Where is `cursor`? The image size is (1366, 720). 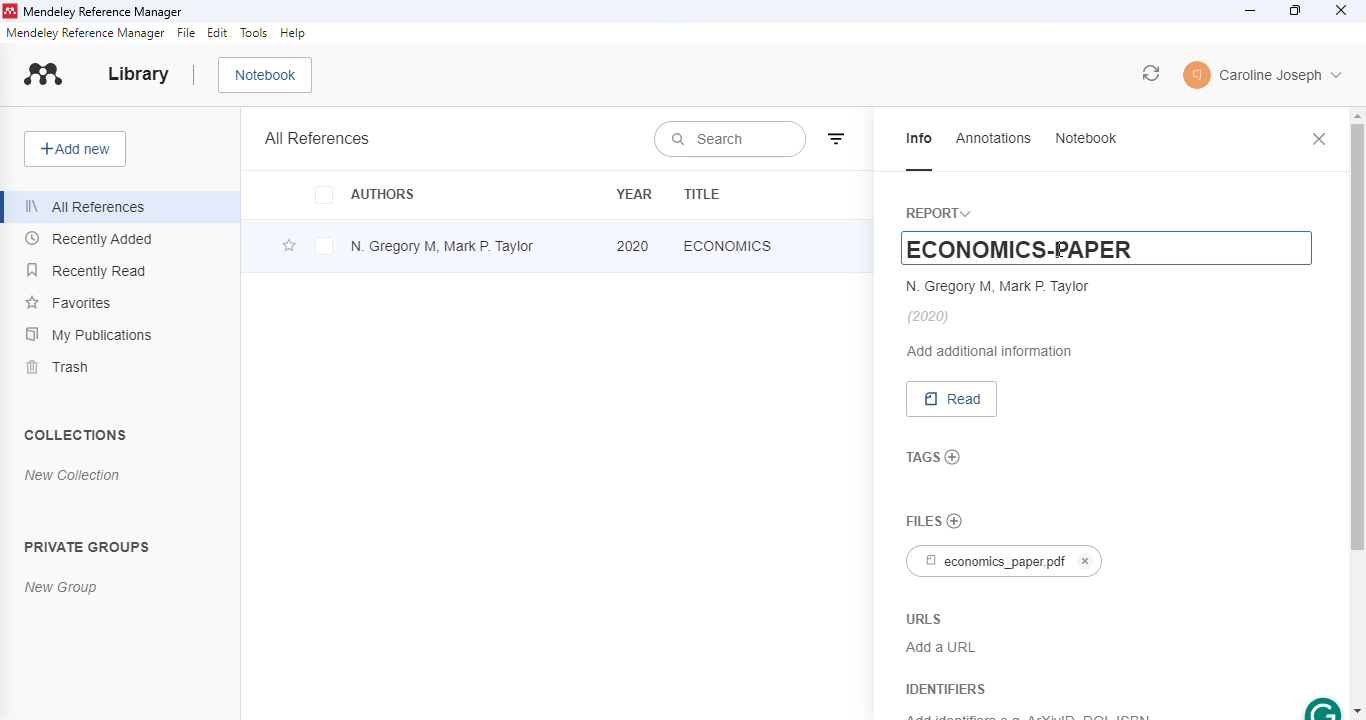
cursor is located at coordinates (1061, 251).